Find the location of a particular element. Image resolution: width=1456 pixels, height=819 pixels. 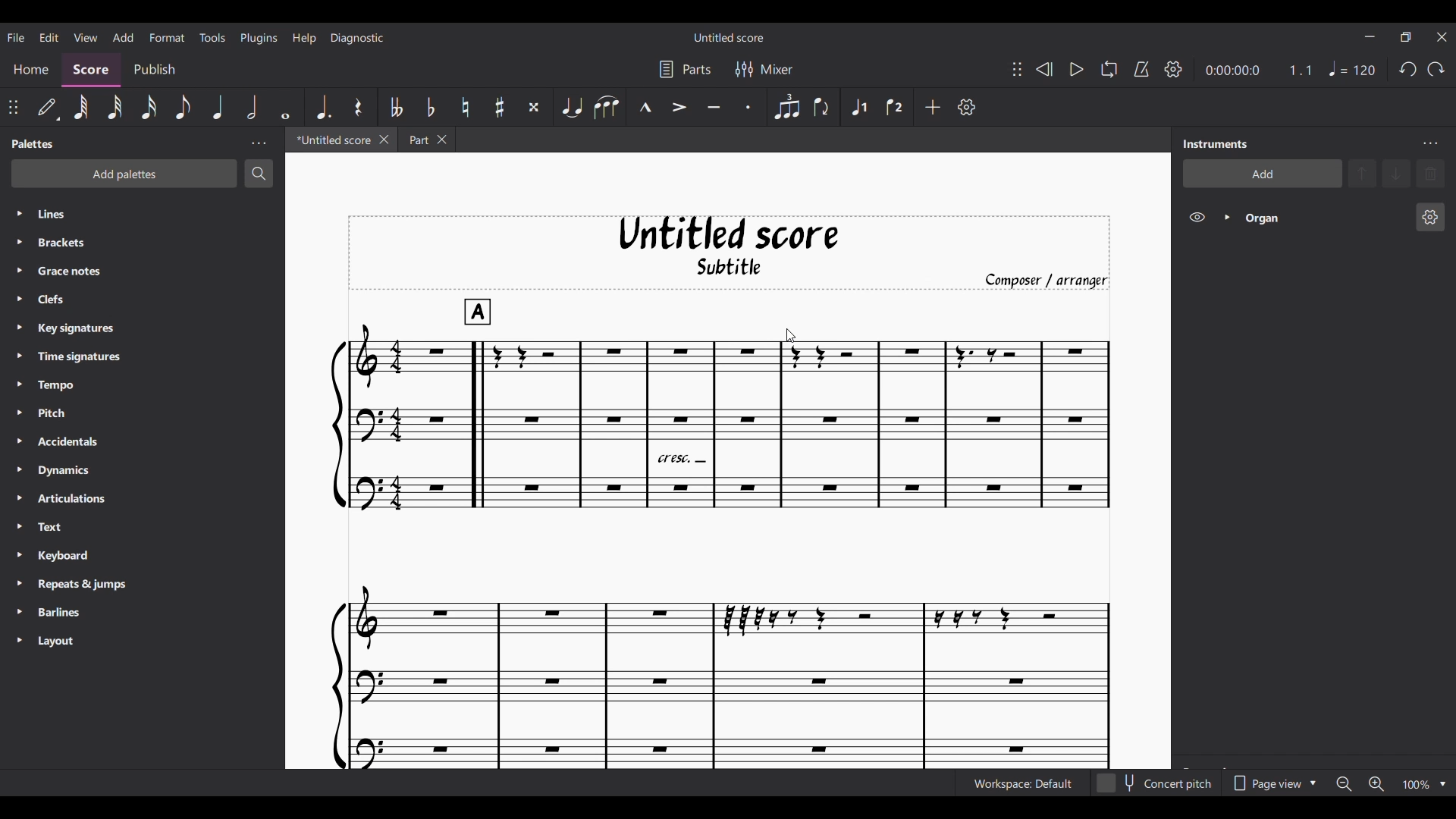

8th note is located at coordinates (184, 108).